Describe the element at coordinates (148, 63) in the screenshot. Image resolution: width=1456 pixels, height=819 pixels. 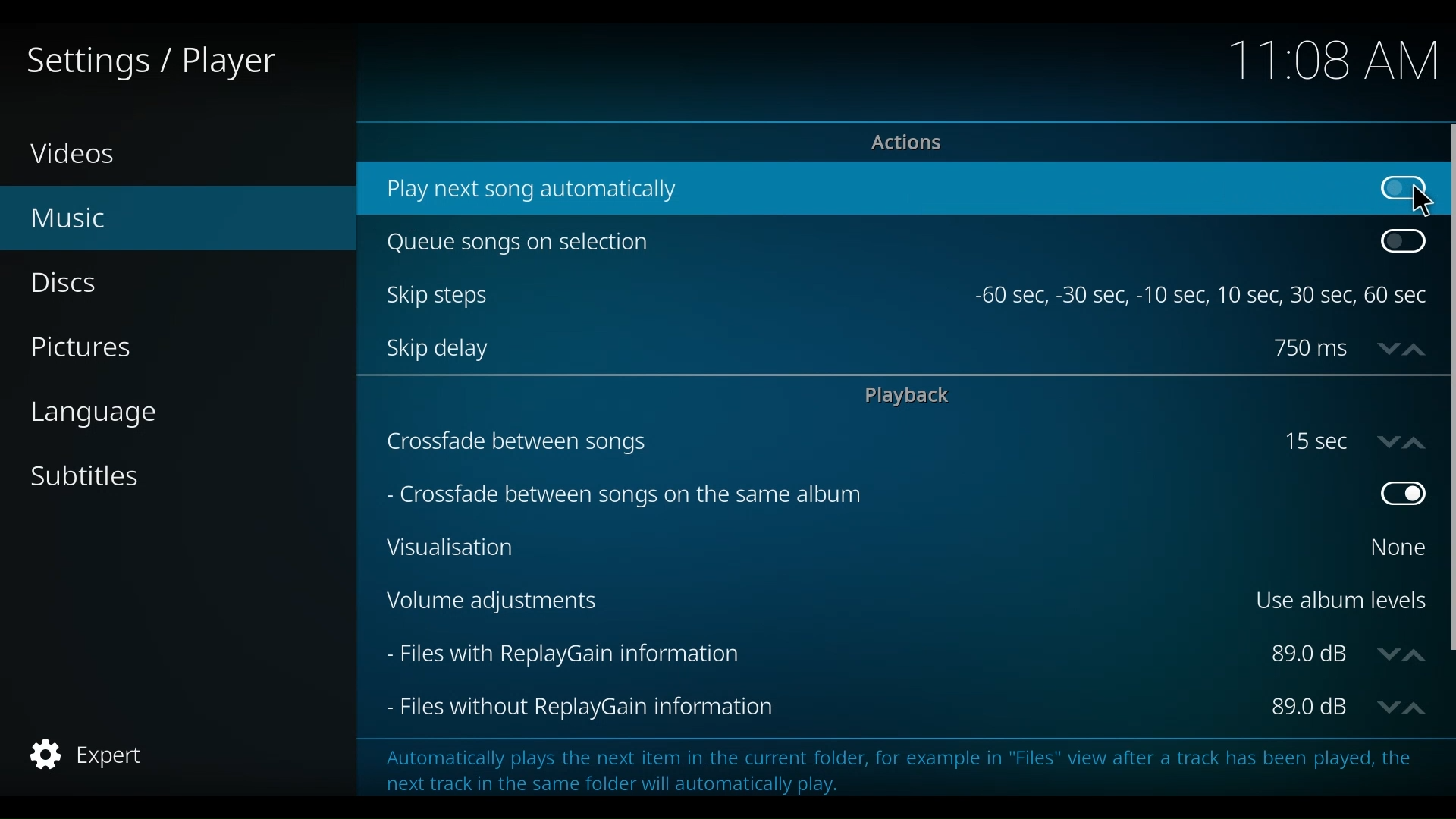
I see `Settings/Player` at that location.